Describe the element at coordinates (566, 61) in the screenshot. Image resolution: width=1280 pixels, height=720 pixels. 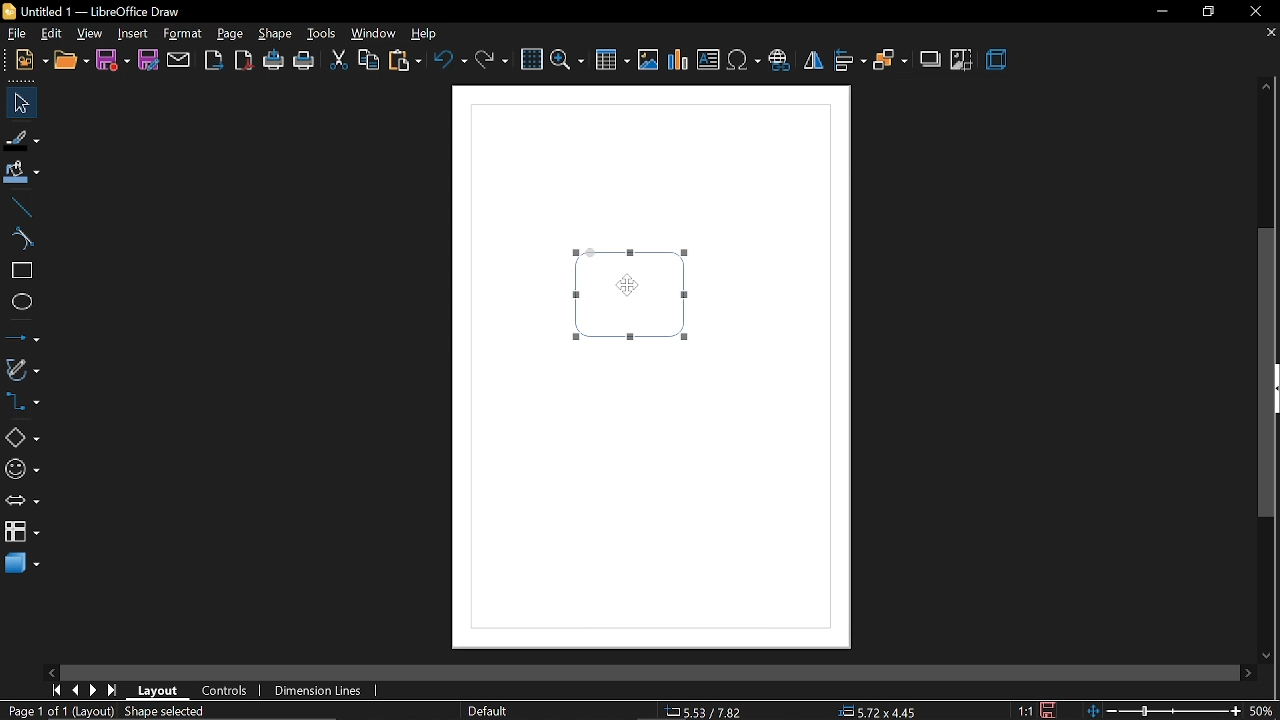
I see `zoom` at that location.